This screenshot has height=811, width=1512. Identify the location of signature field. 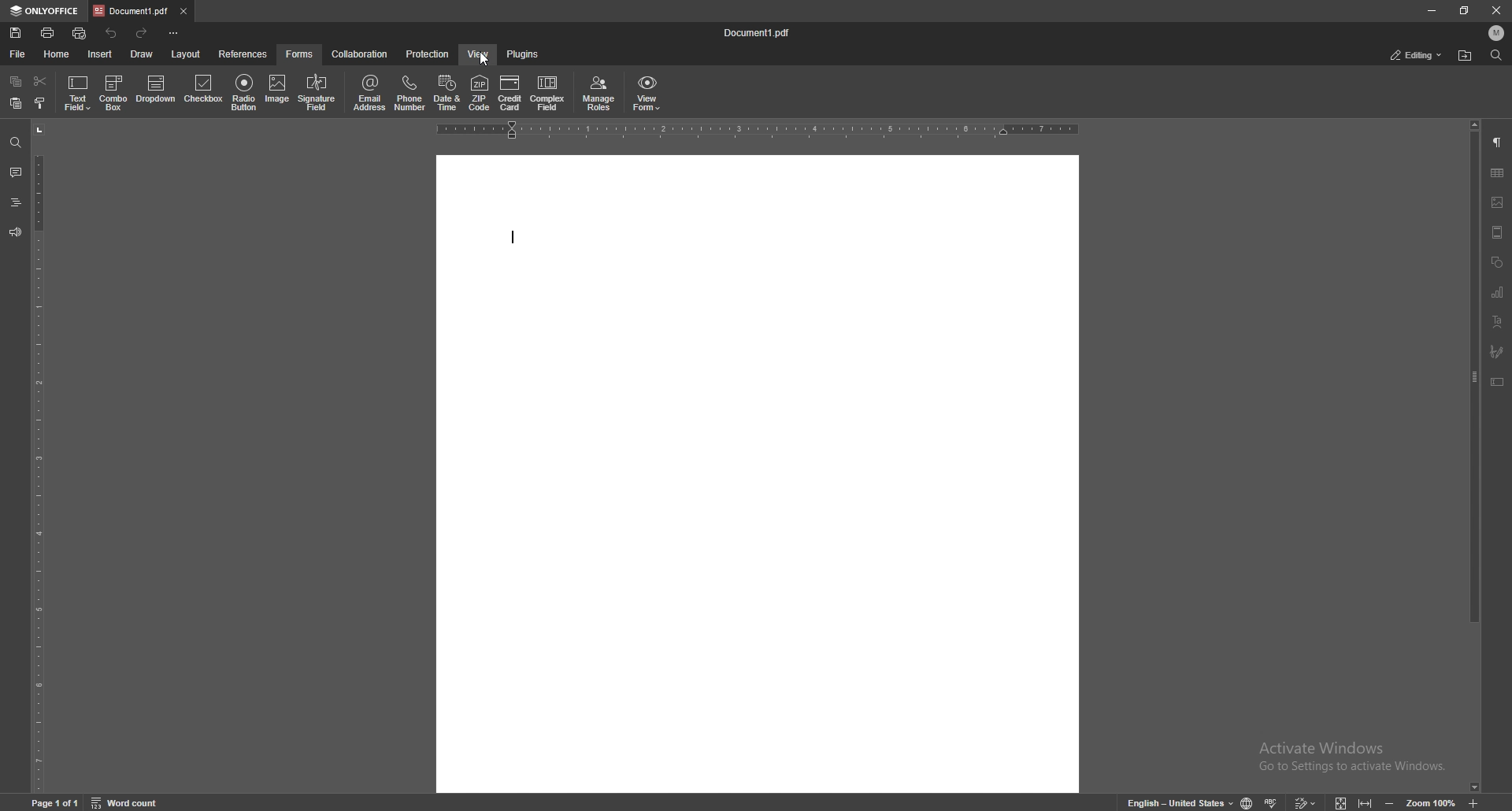
(317, 93).